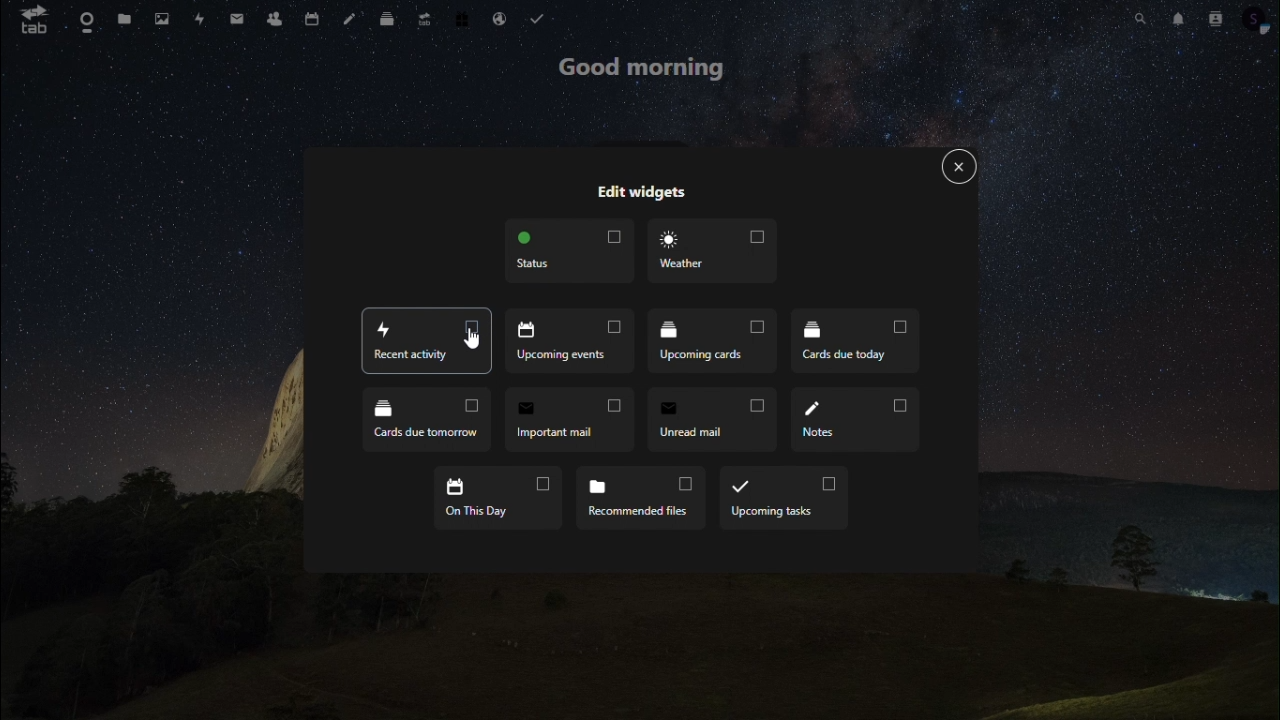  Describe the element at coordinates (390, 22) in the screenshot. I see `deck` at that location.